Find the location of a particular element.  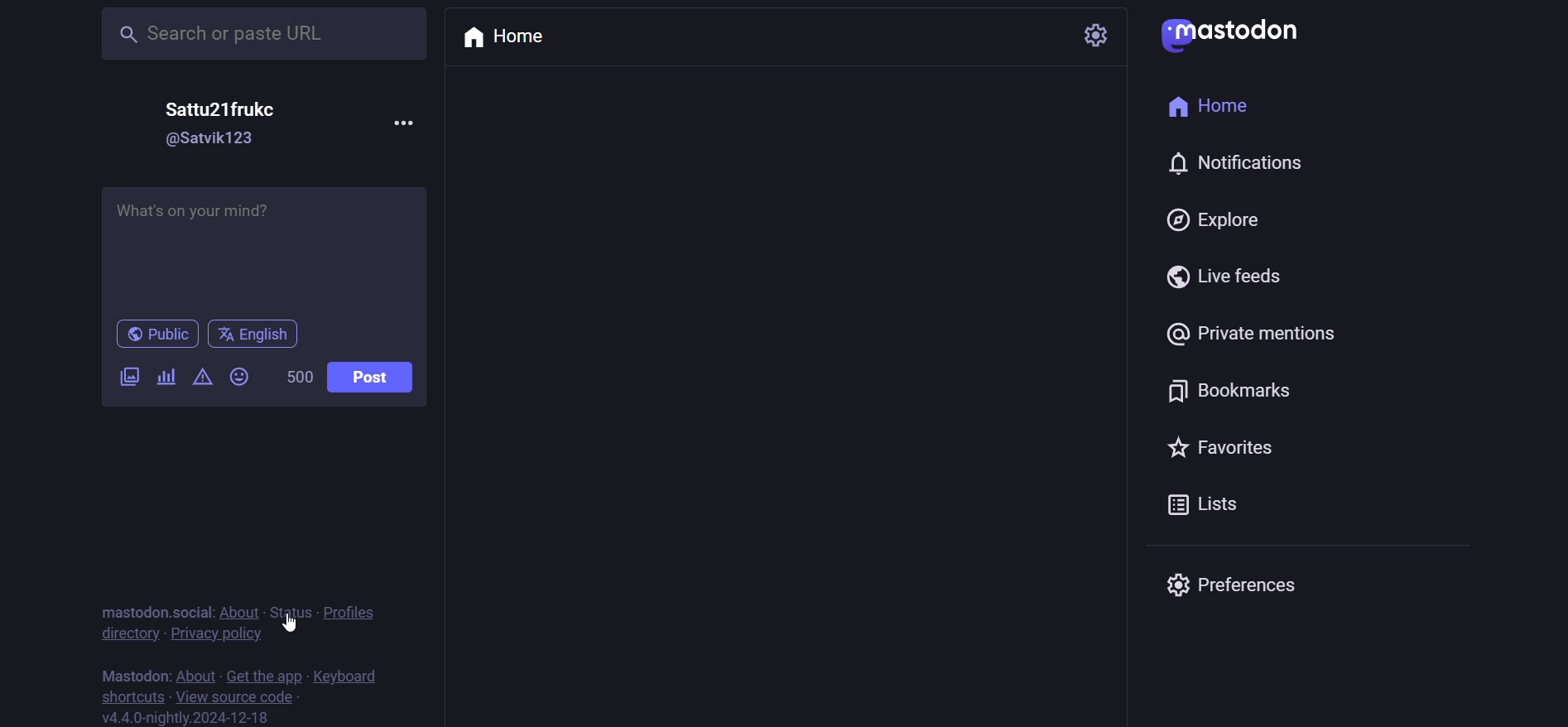

about is located at coordinates (195, 675).